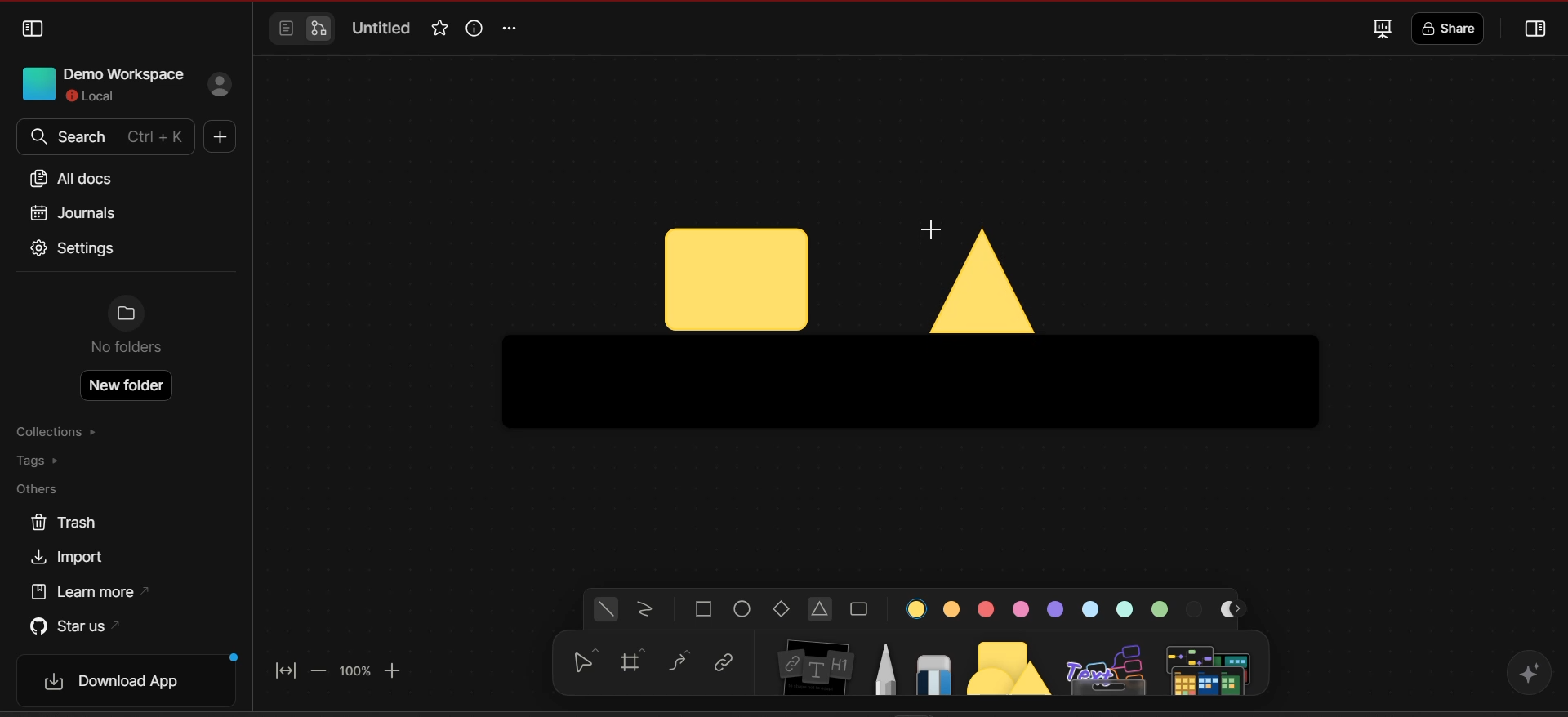  I want to click on Untitled, so click(382, 29).